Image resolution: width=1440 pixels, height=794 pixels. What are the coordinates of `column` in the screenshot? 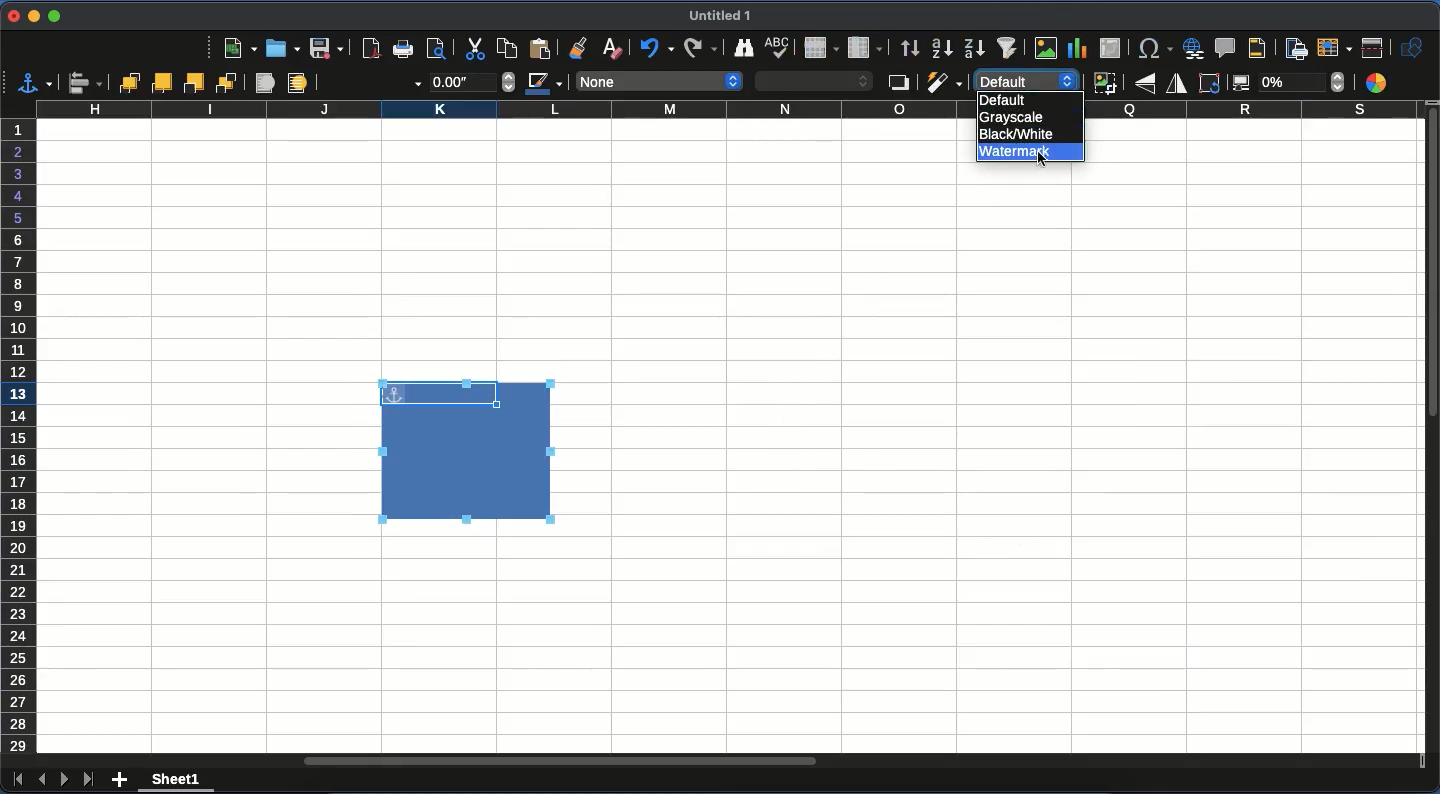 It's located at (866, 48).